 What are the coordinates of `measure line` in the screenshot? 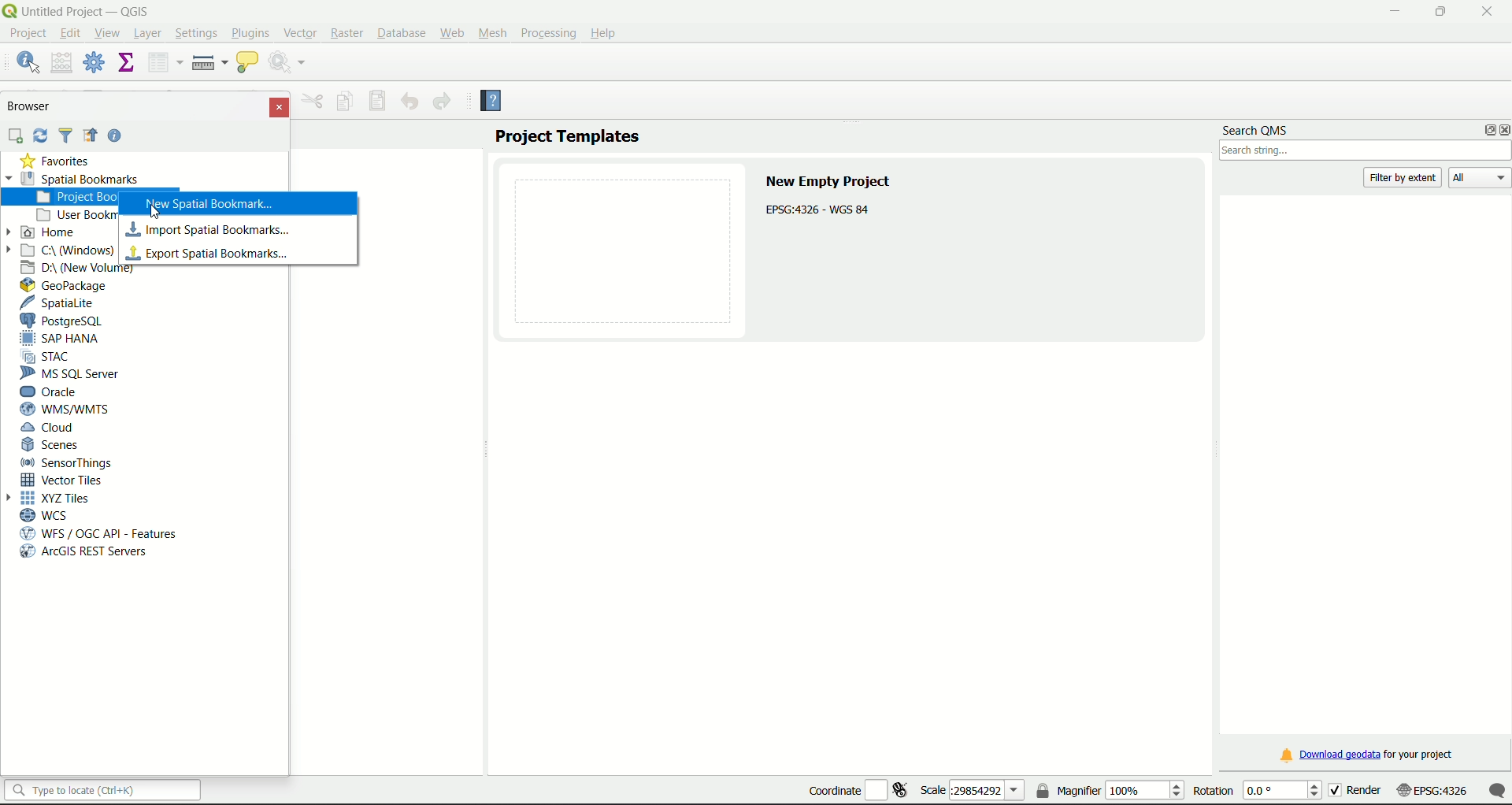 It's located at (209, 63).